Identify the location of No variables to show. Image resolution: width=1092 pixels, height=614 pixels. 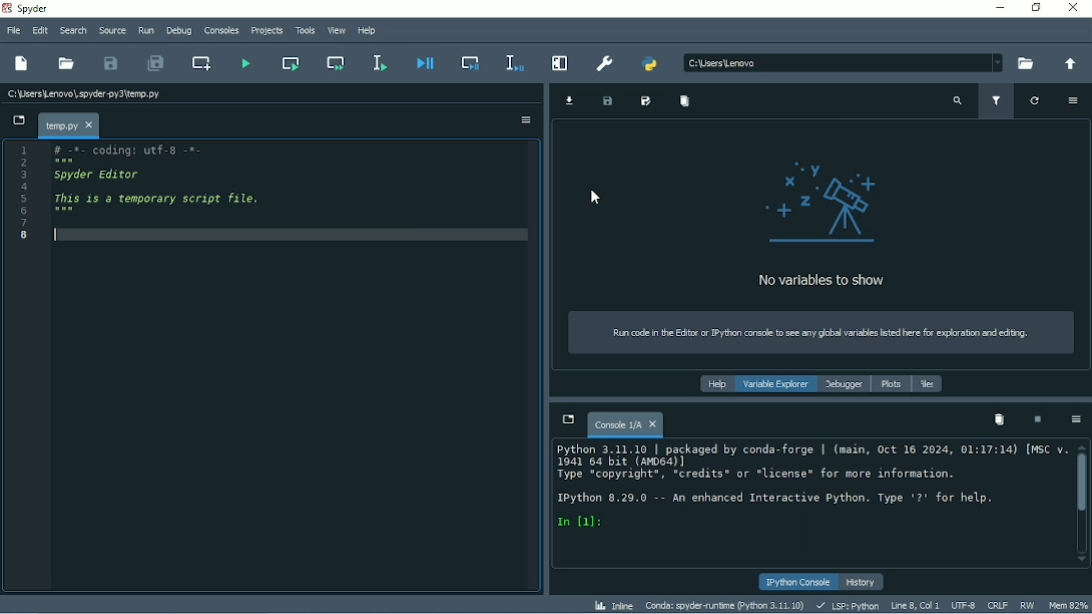
(820, 223).